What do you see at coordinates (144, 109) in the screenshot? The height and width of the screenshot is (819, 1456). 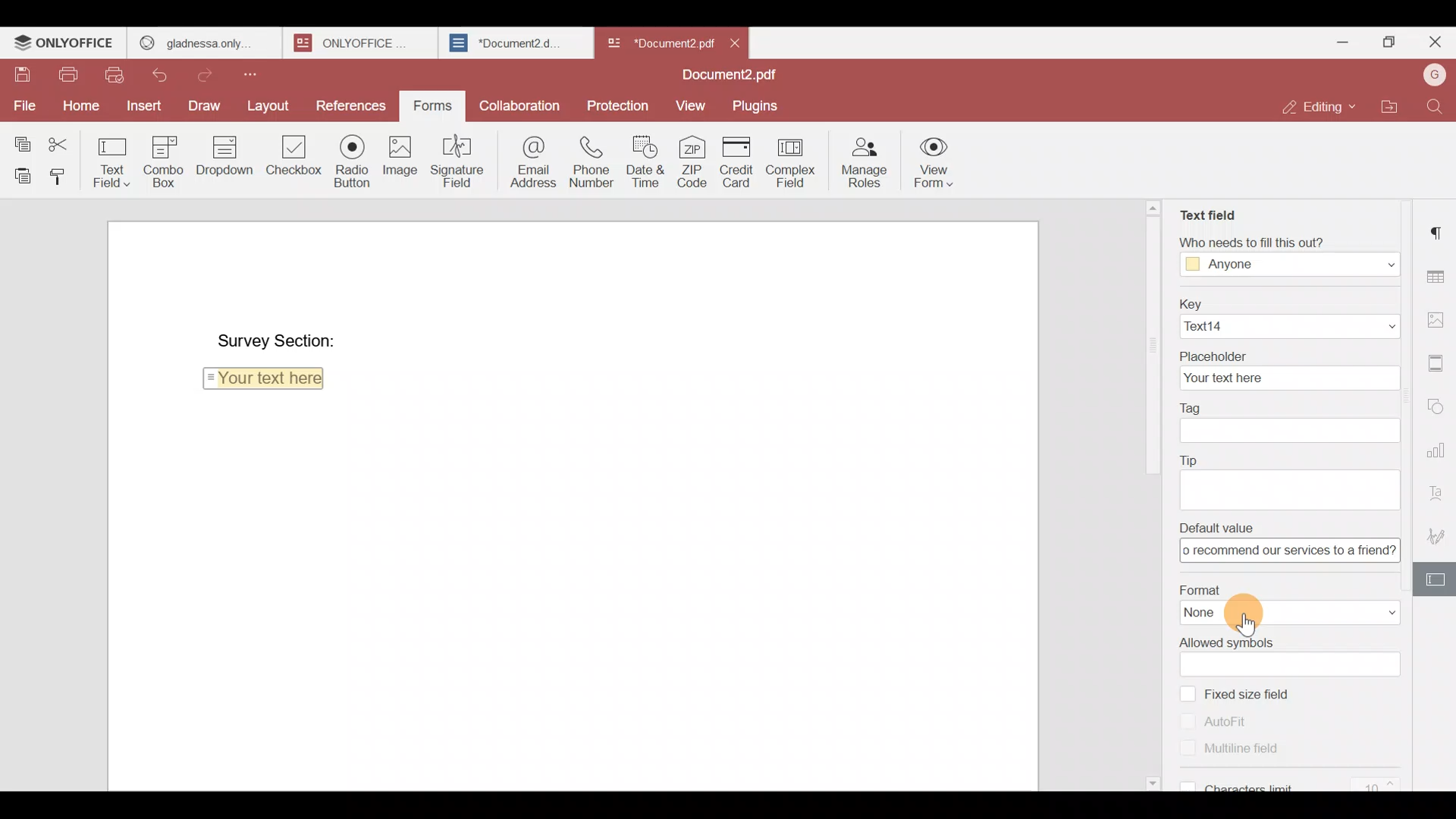 I see `Insert` at bounding box center [144, 109].